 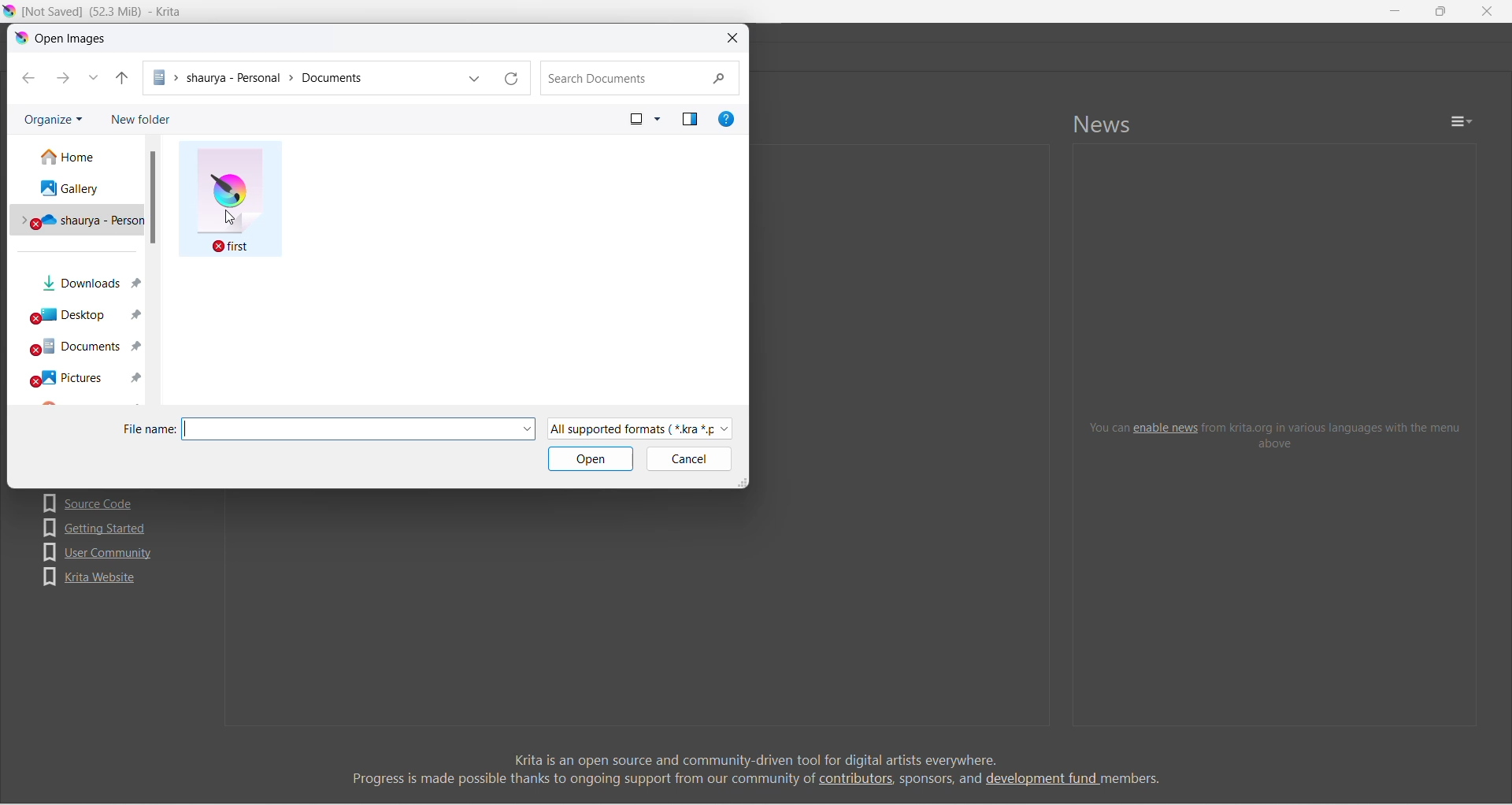 I want to click on maximize, so click(x=1440, y=11).